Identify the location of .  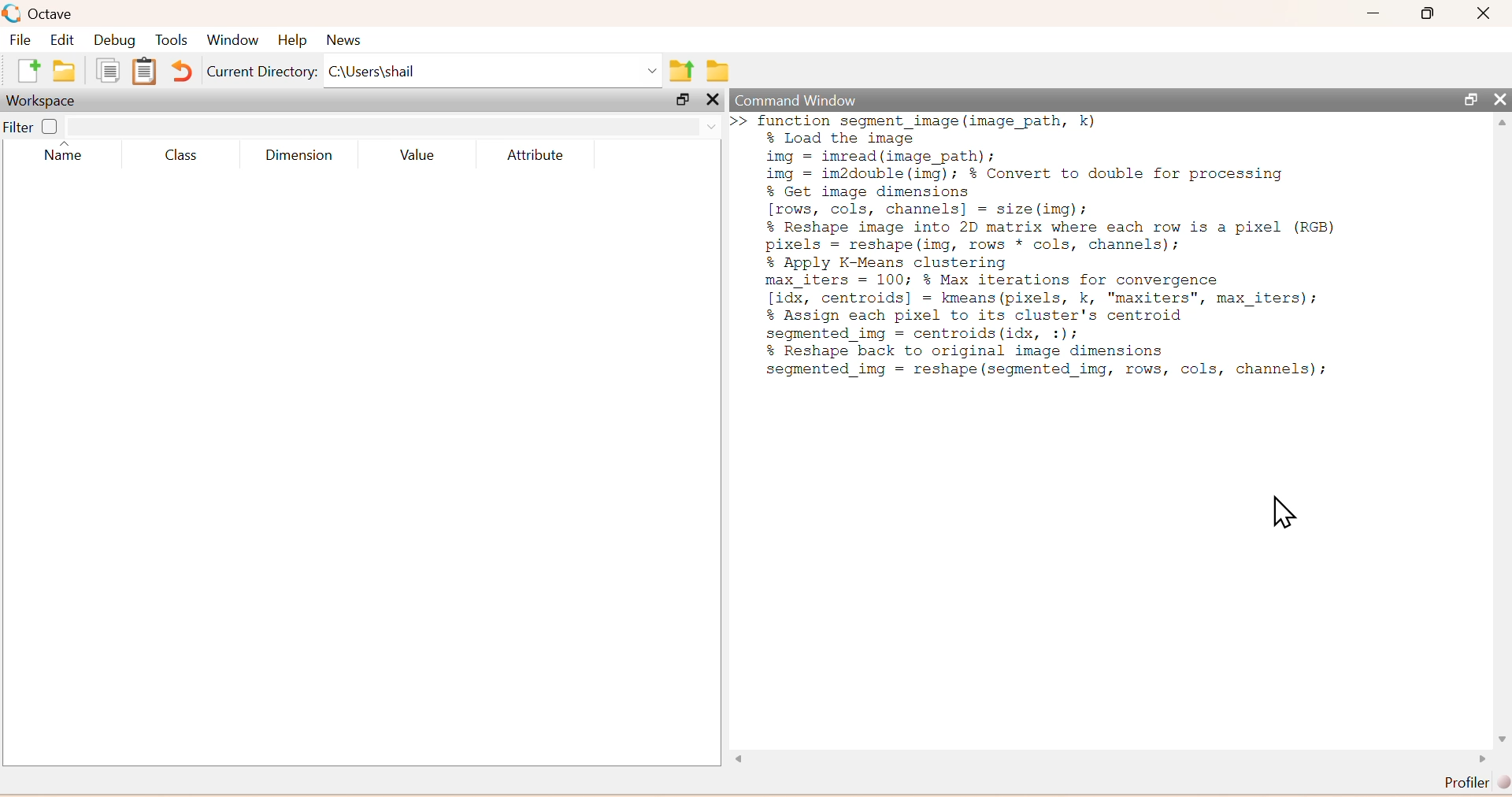
(713, 99).